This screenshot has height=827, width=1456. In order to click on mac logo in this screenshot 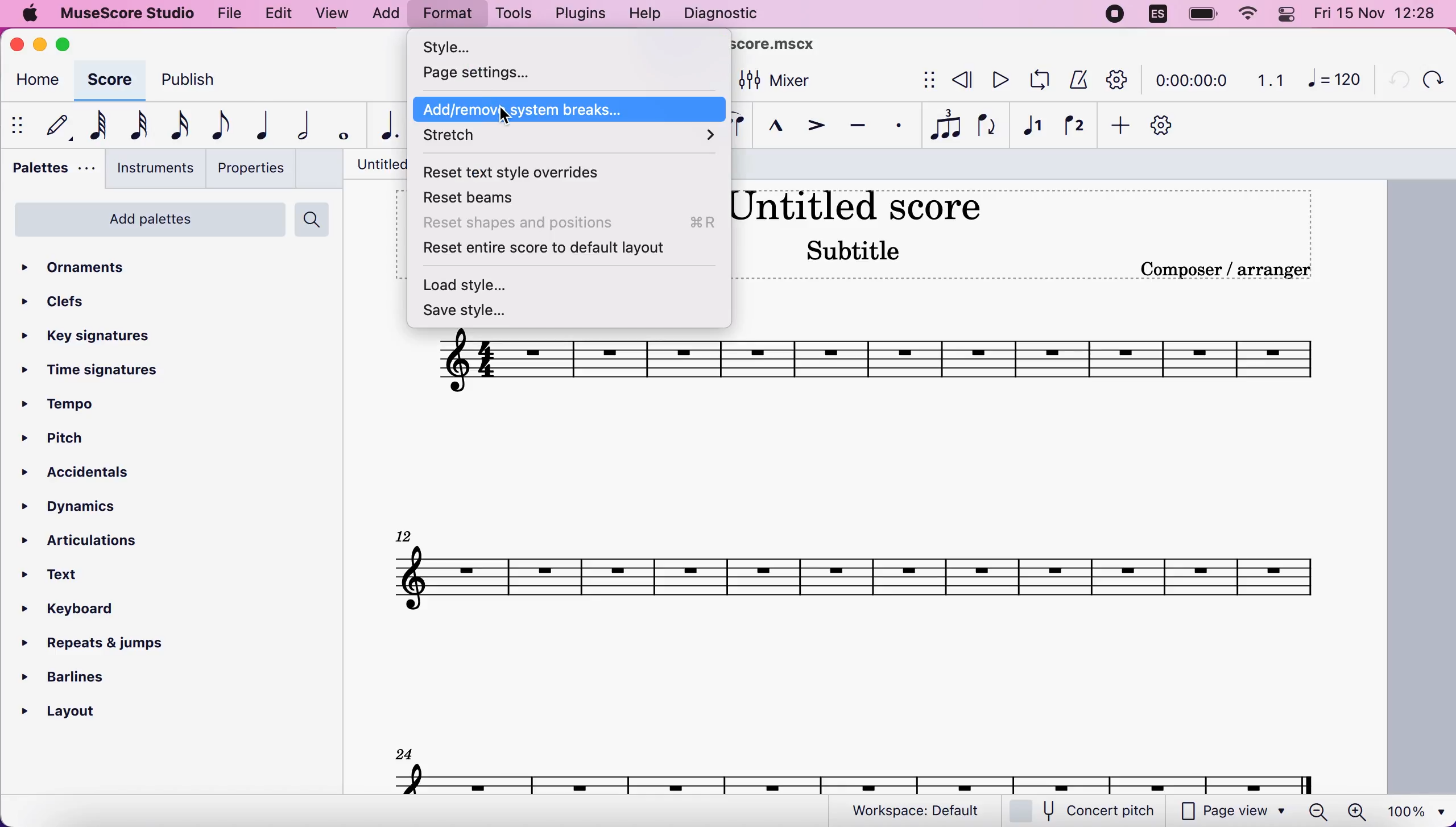, I will do `click(28, 15)`.